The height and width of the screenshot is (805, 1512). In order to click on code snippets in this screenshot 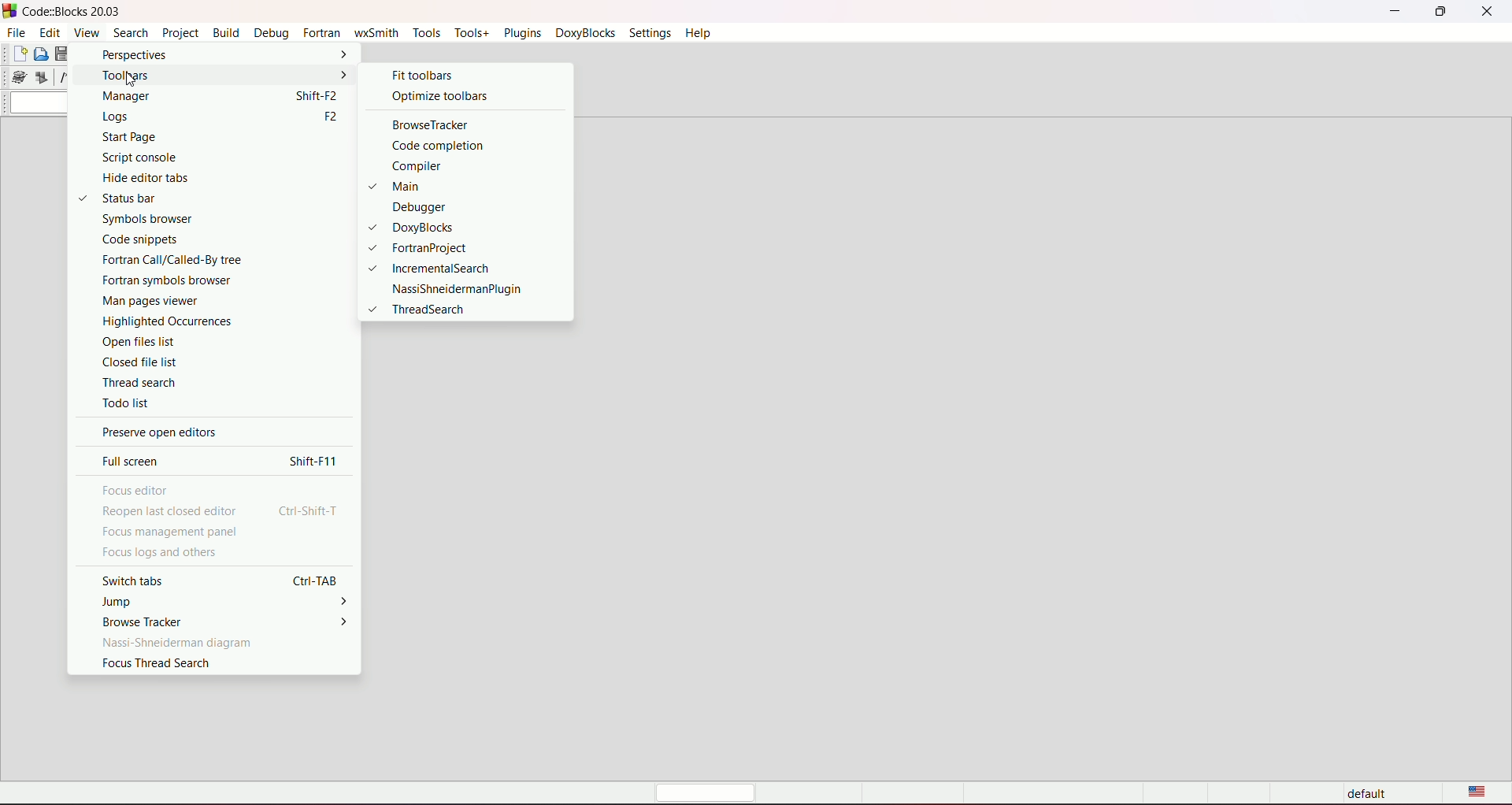, I will do `click(197, 239)`.